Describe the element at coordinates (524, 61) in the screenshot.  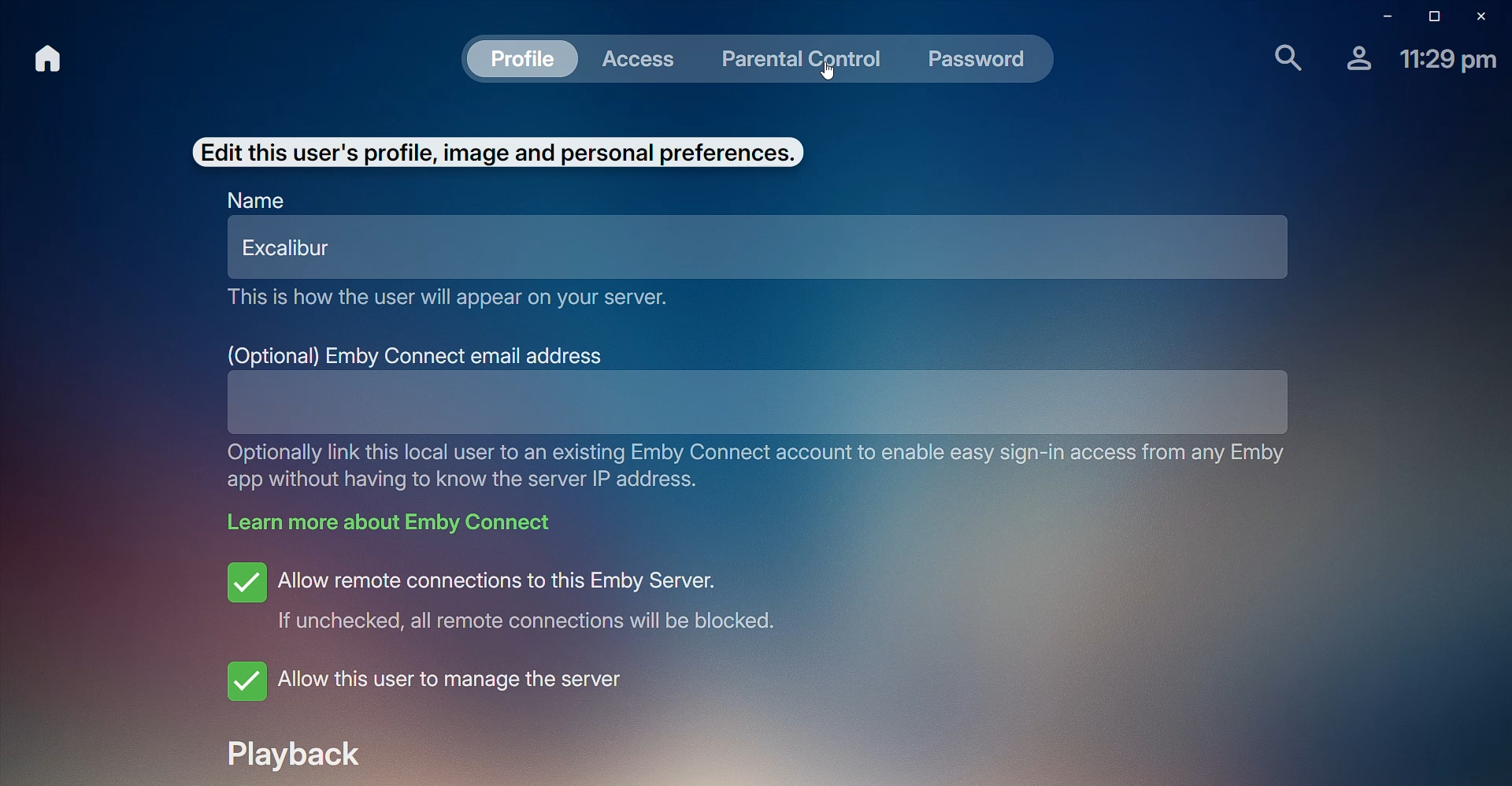
I see `Profile` at that location.